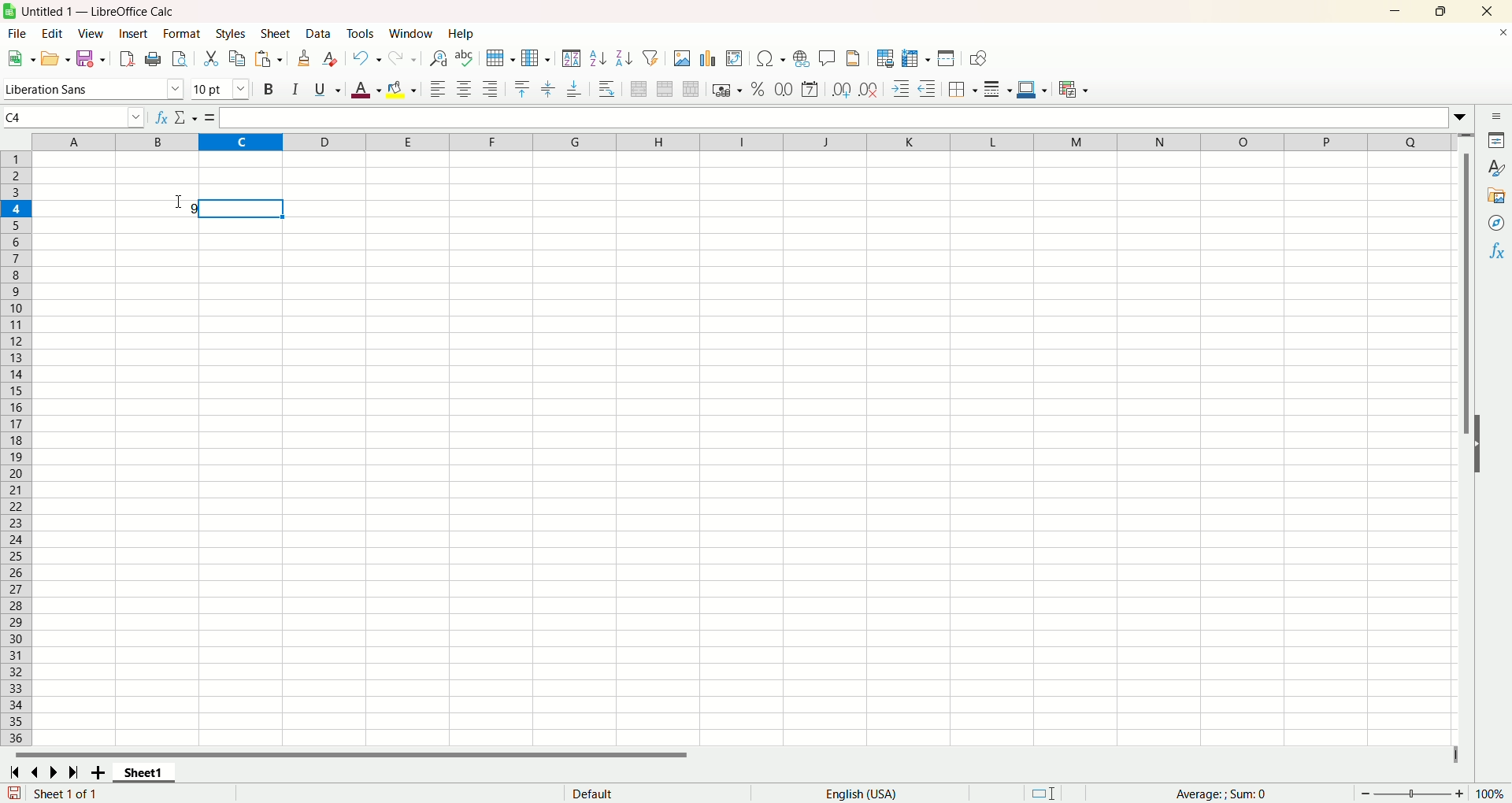 This screenshot has width=1512, height=803. Describe the element at coordinates (979, 60) in the screenshot. I see `draw function` at that location.